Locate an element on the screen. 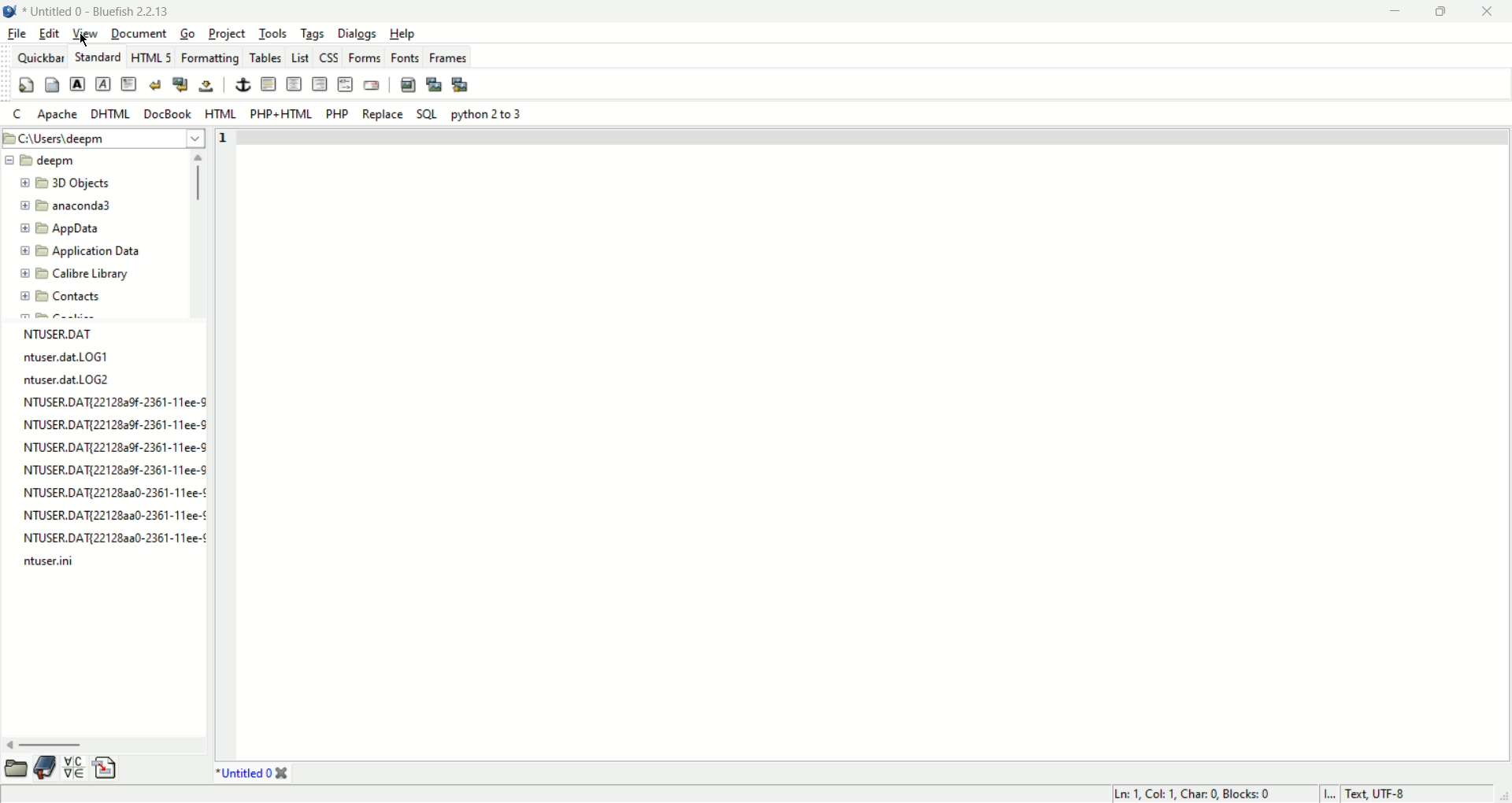 The height and width of the screenshot is (803, 1512). snippet is located at coordinates (106, 771).